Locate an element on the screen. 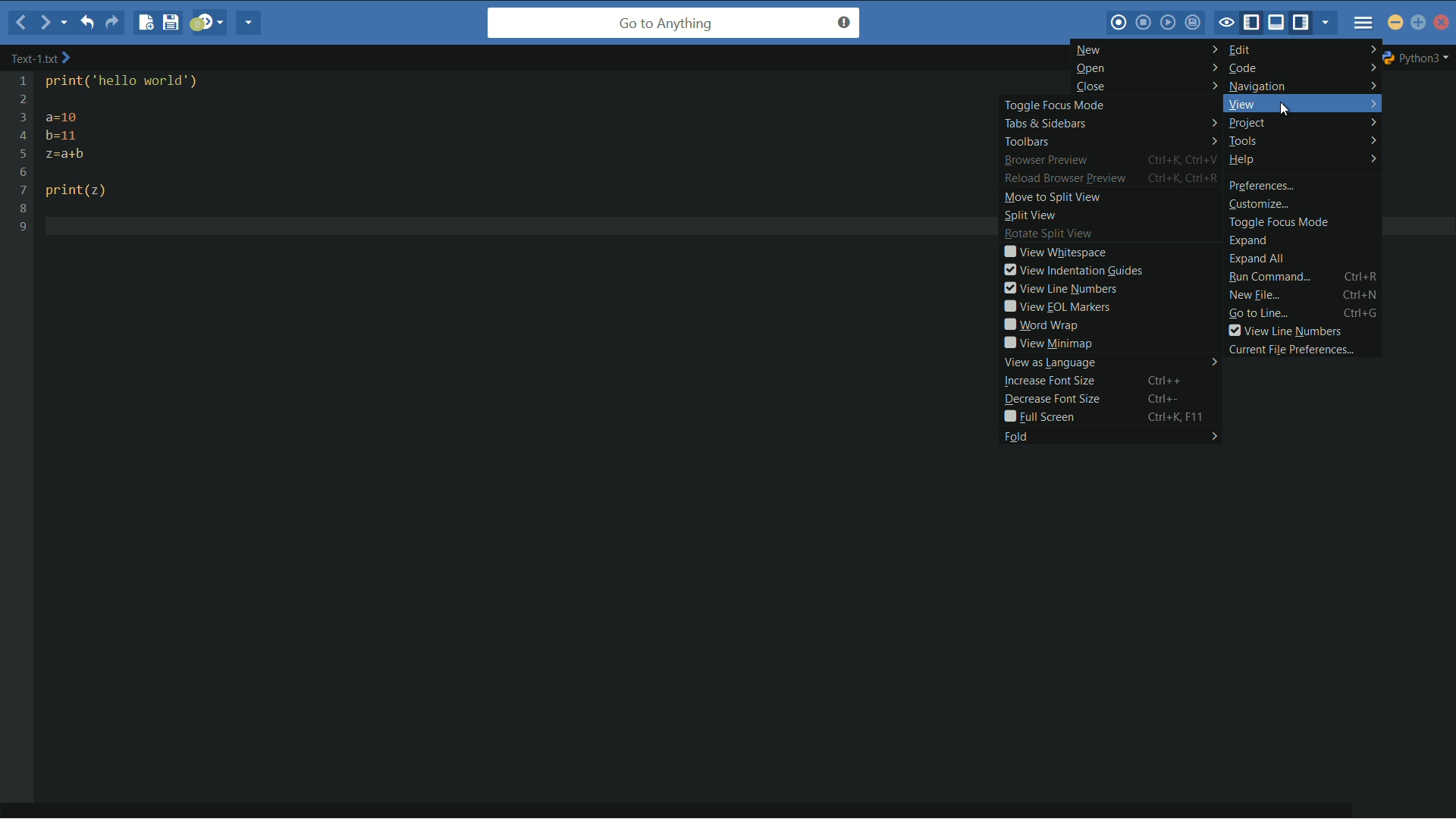 The image size is (1456, 819). forward is located at coordinates (42, 22).